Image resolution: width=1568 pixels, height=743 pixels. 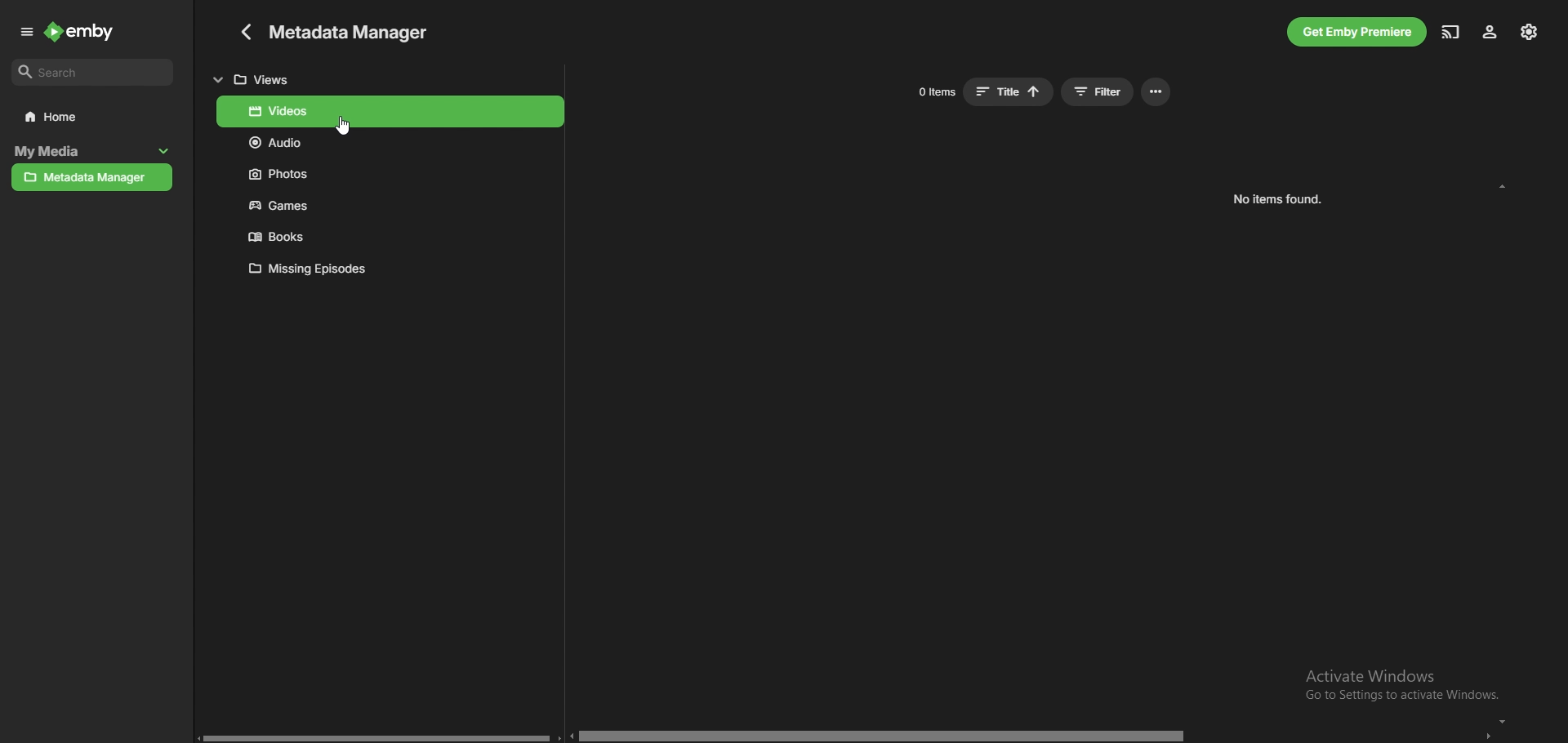 I want to click on go right, so click(x=1489, y=736).